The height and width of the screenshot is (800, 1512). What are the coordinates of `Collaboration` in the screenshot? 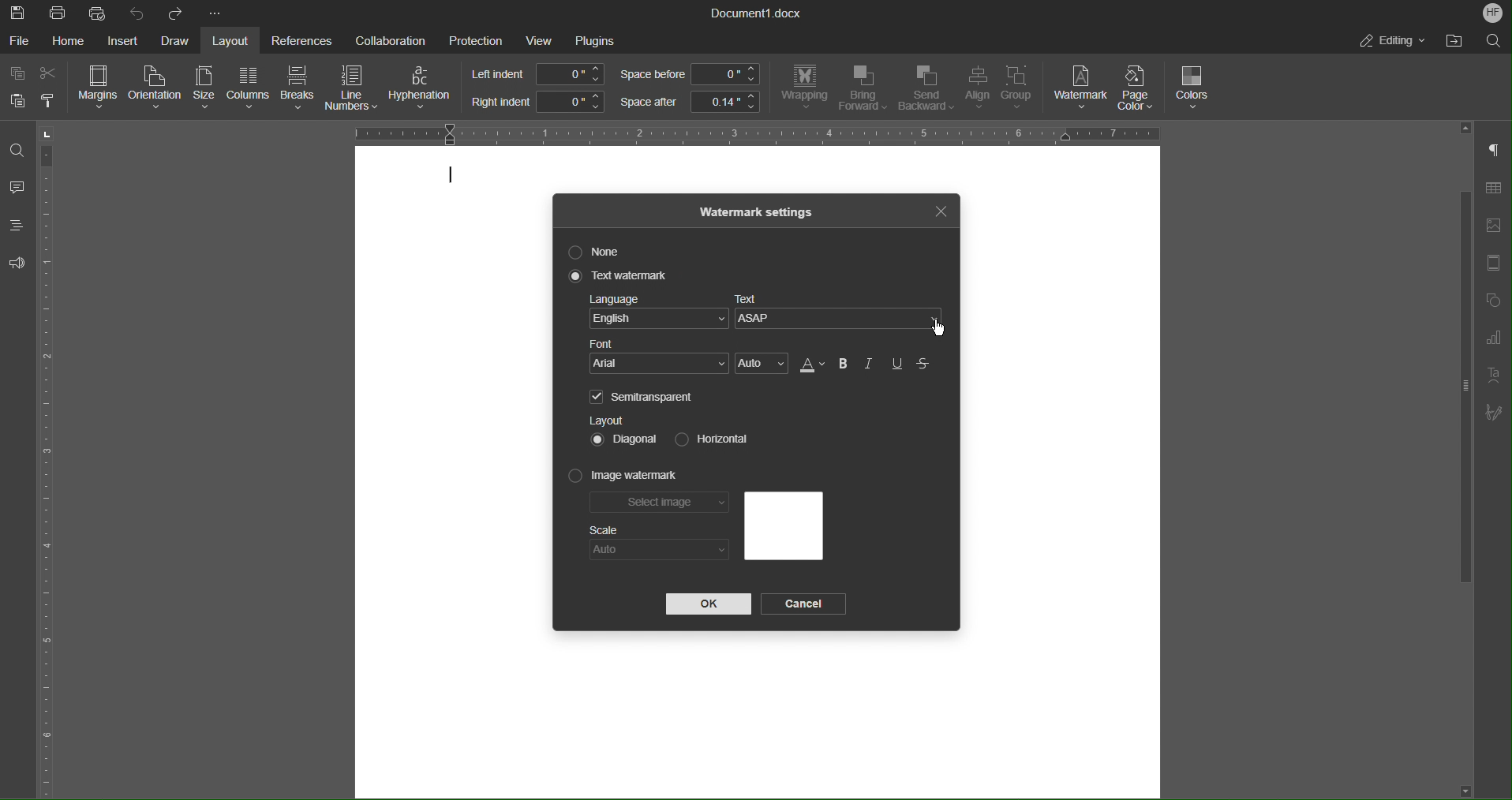 It's located at (386, 39).